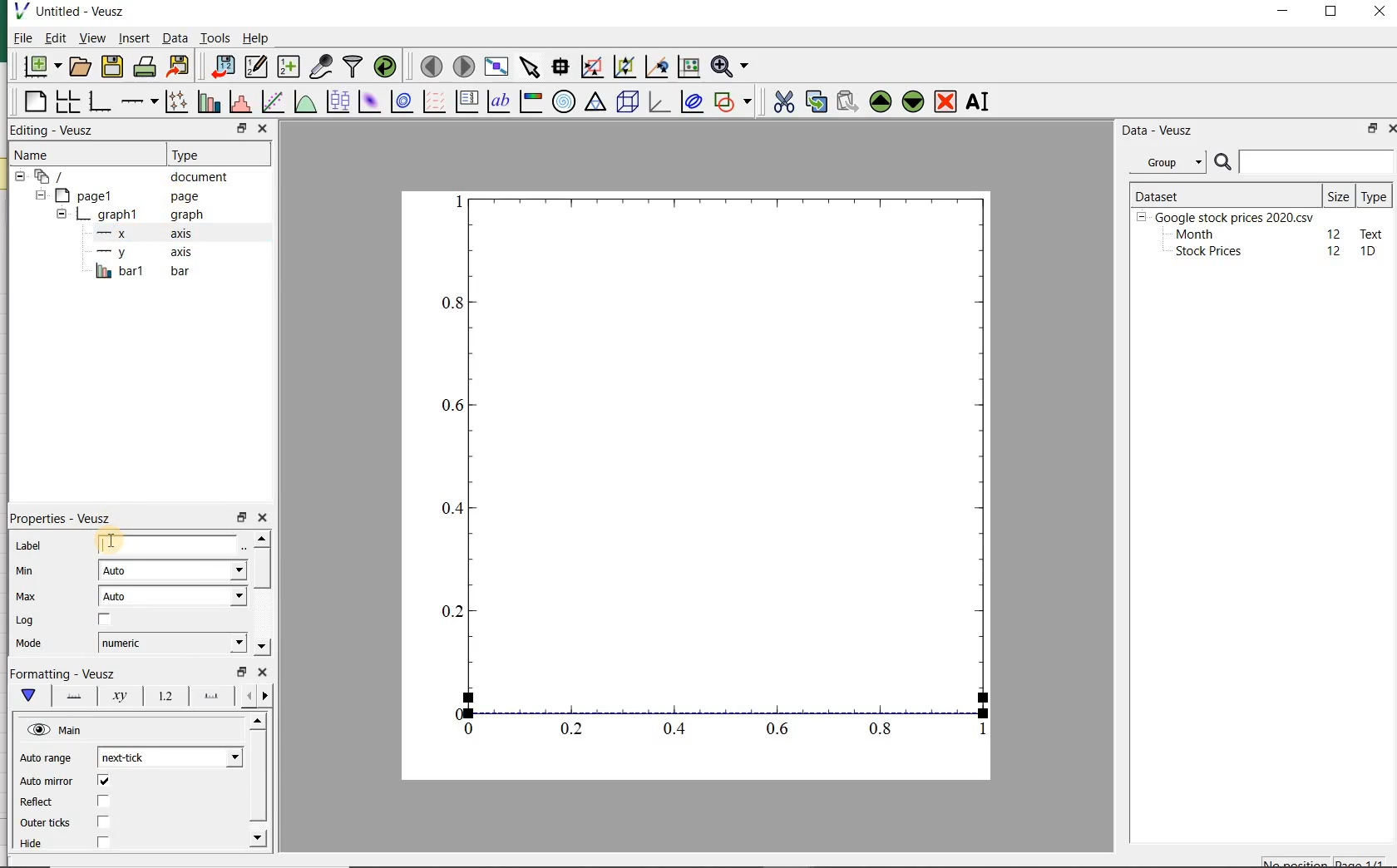 This screenshot has height=868, width=1397. What do you see at coordinates (102, 843) in the screenshot?
I see `check/uncheck` at bounding box center [102, 843].